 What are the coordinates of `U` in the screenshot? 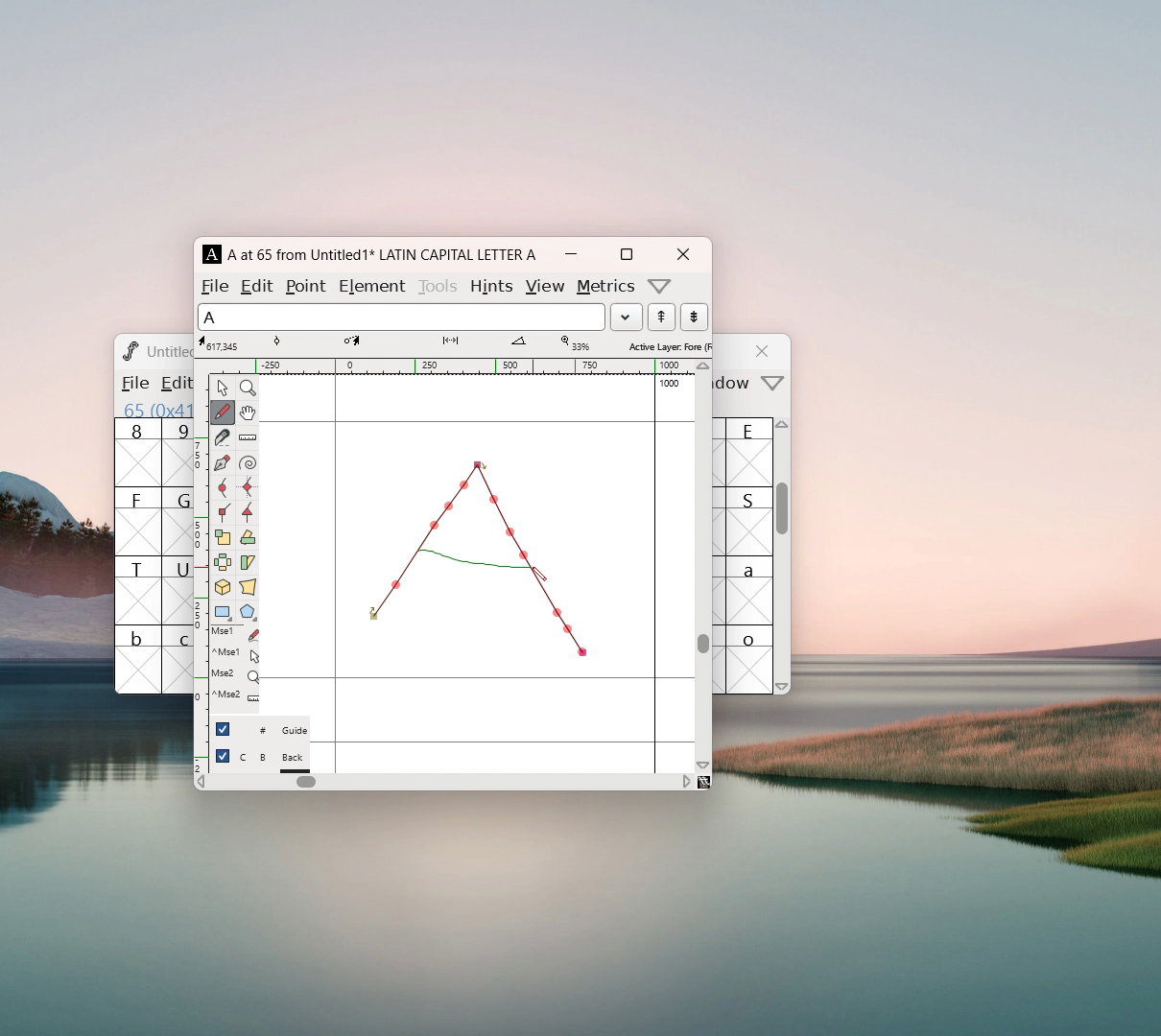 It's located at (178, 590).